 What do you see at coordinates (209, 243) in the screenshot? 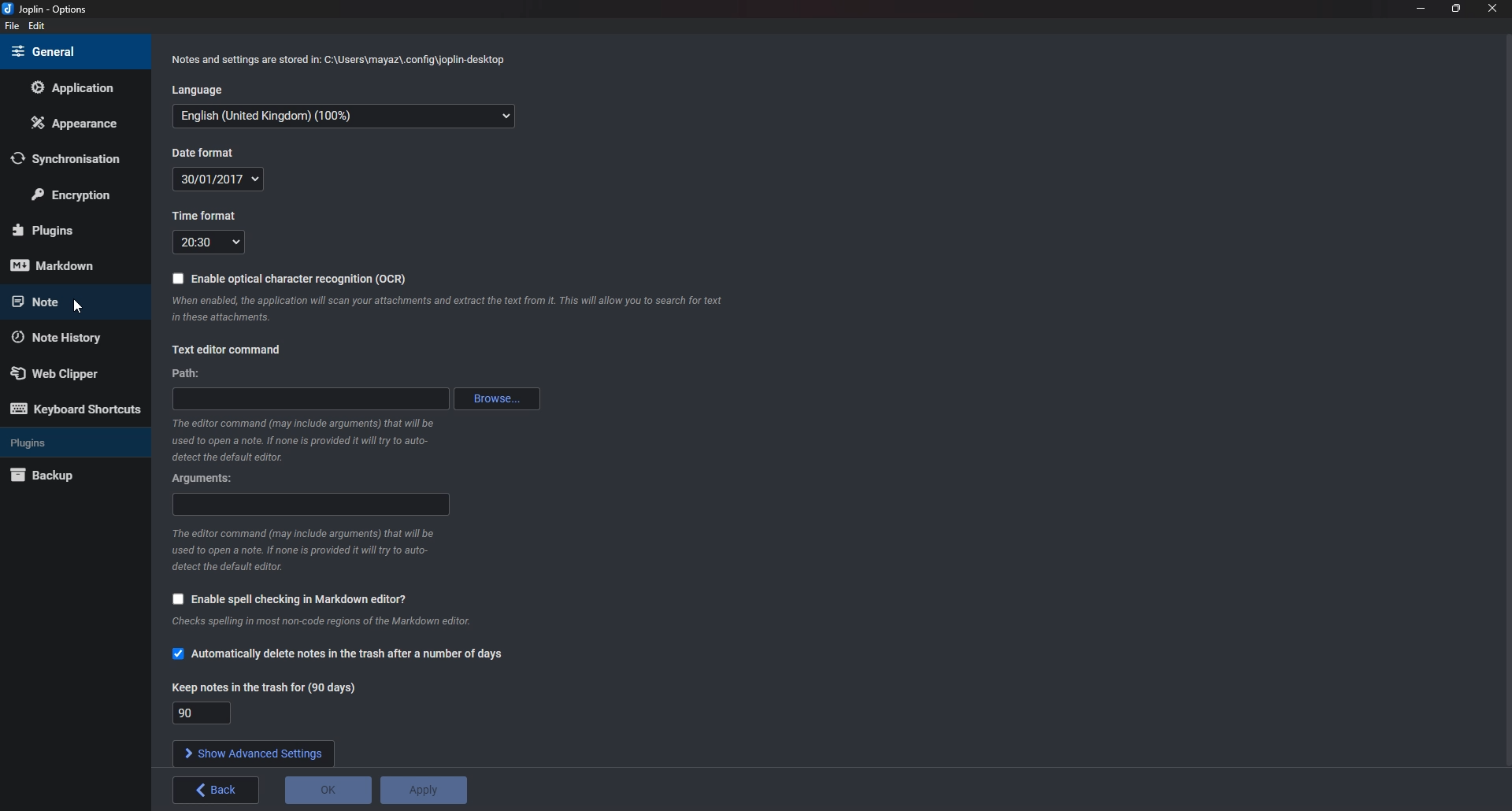
I see `Time format` at bounding box center [209, 243].